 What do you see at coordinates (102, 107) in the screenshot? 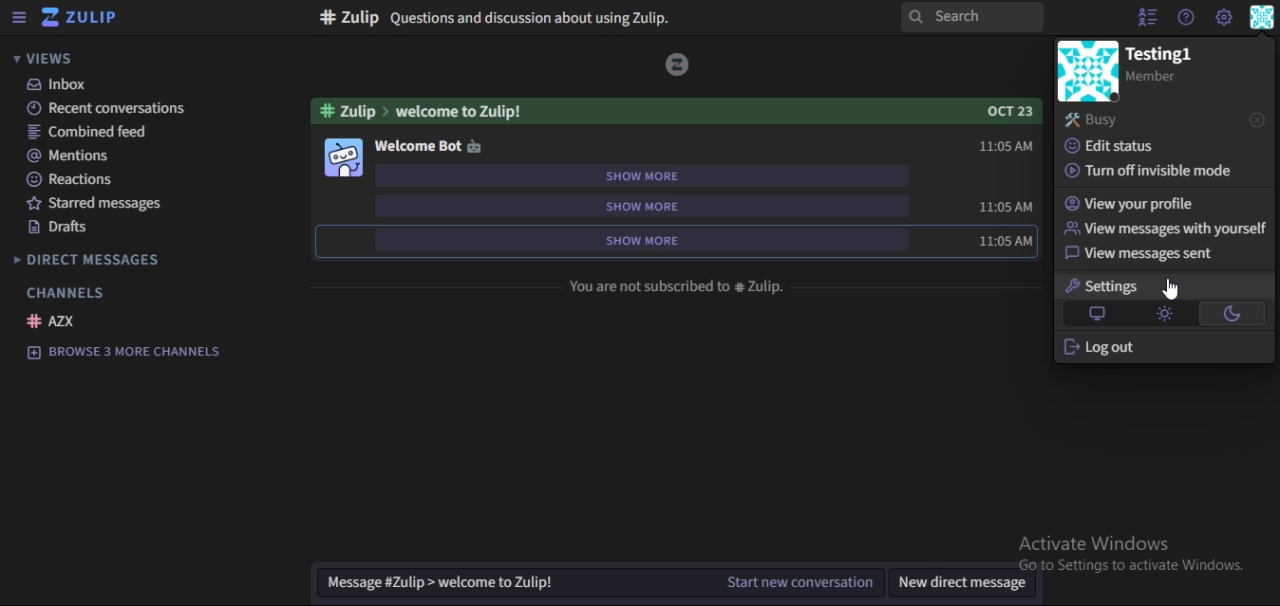
I see `recent conversation` at bounding box center [102, 107].